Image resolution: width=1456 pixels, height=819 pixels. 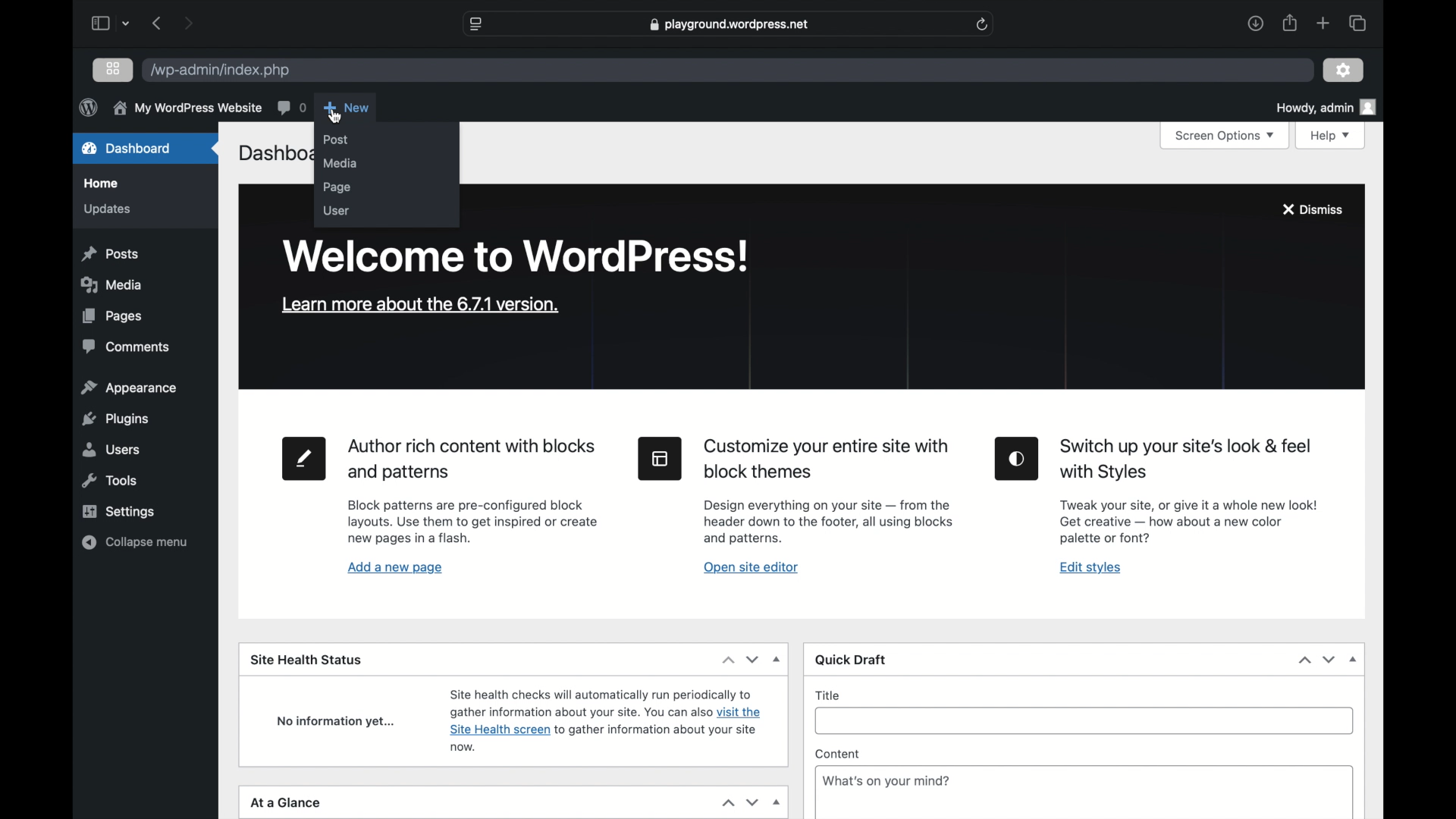 I want to click on media, so click(x=110, y=284).